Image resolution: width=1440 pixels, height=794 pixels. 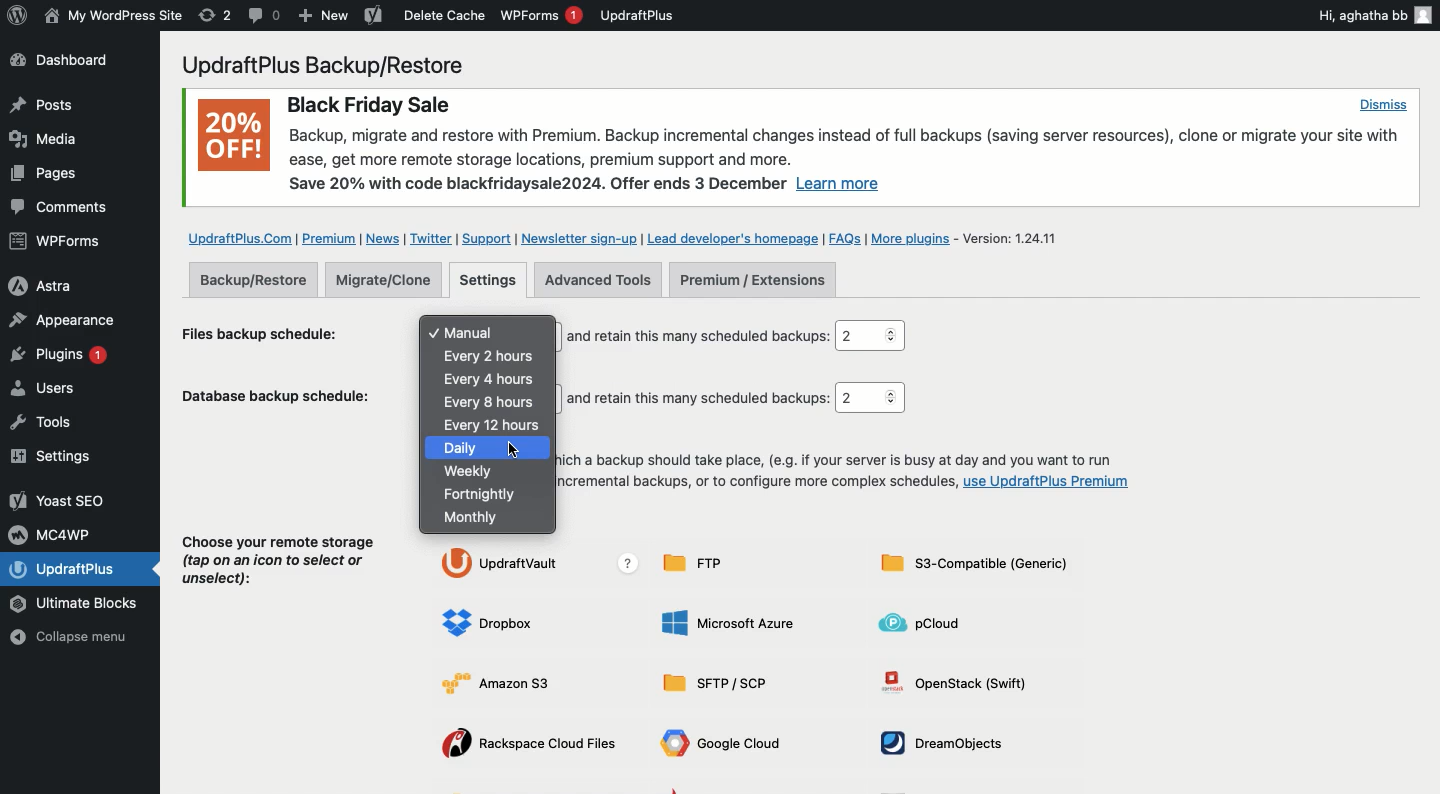 I want to click on Microsoft Azure, so click(x=731, y=622).